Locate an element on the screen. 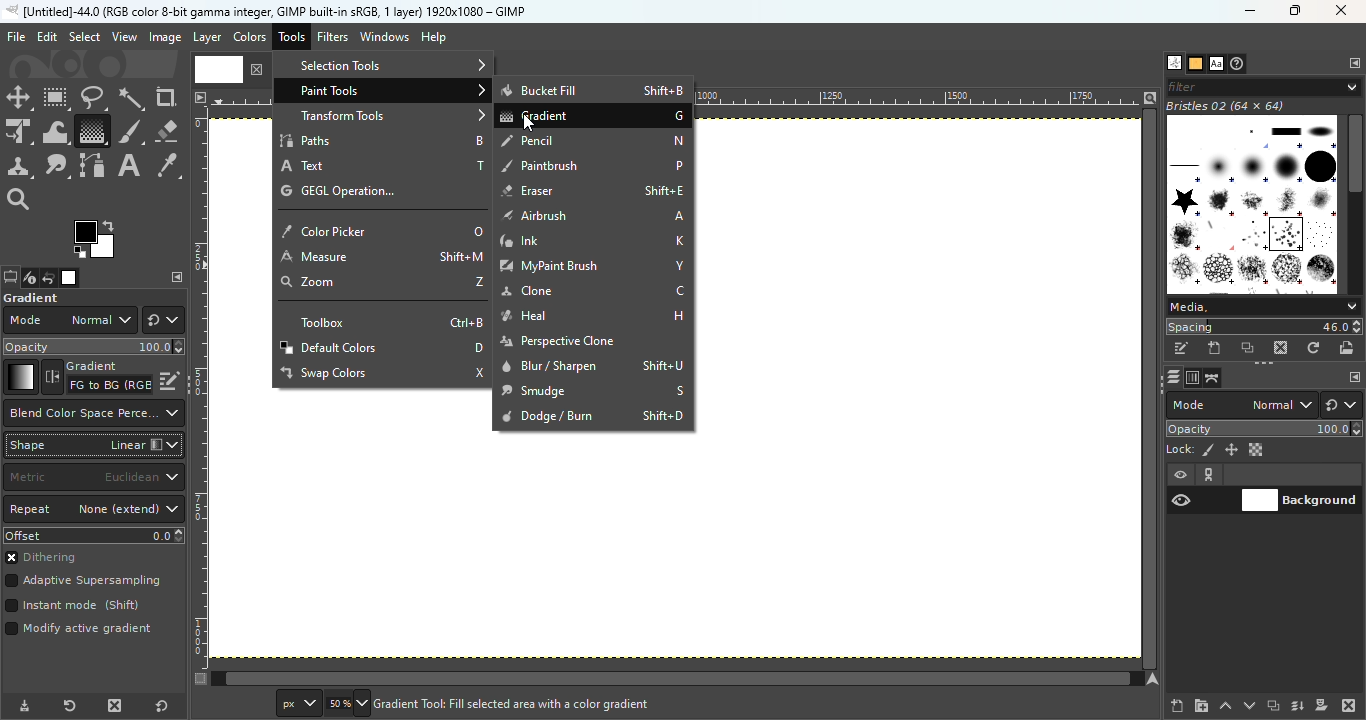 Image resolution: width=1366 pixels, height=720 pixels. Unified transform tool is located at coordinates (18, 133).